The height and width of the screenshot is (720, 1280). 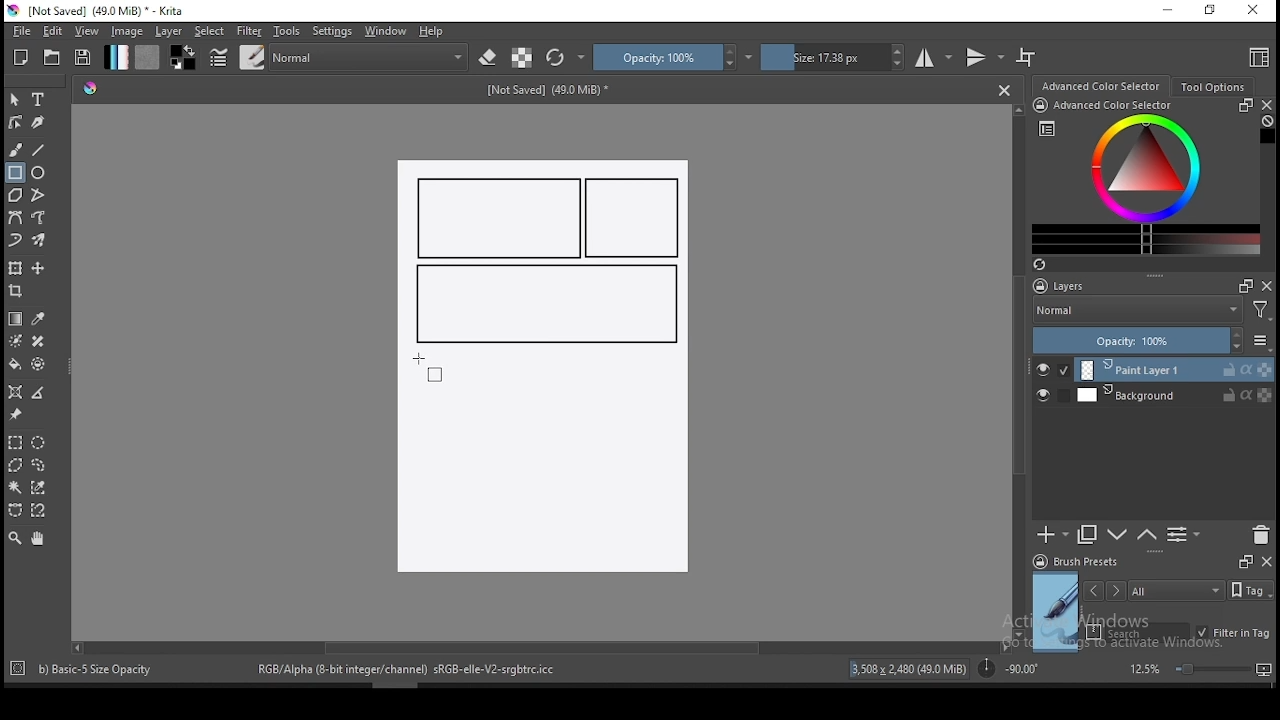 I want to click on elliptical selection tool, so click(x=38, y=443).